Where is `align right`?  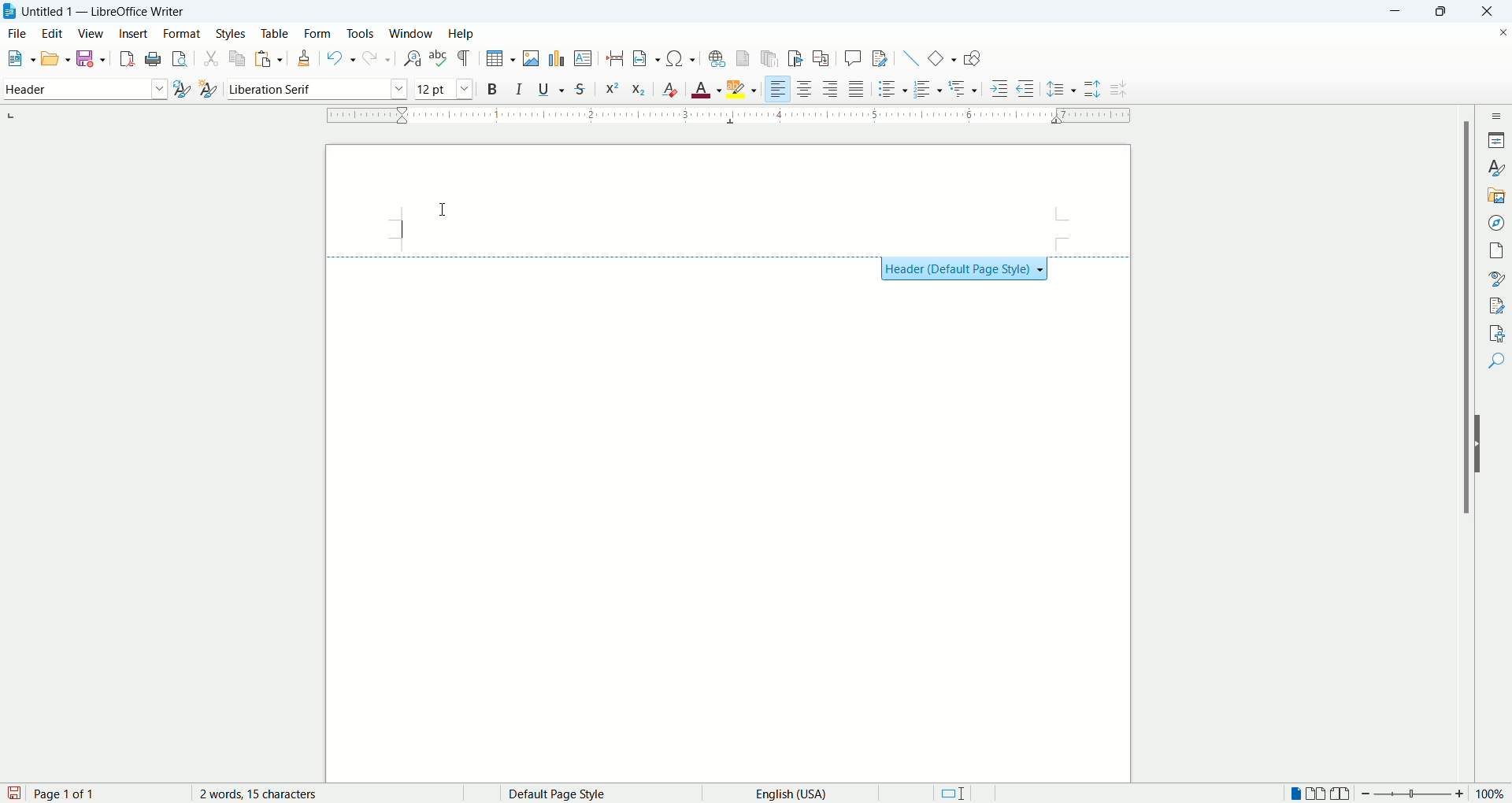
align right is located at coordinates (830, 90).